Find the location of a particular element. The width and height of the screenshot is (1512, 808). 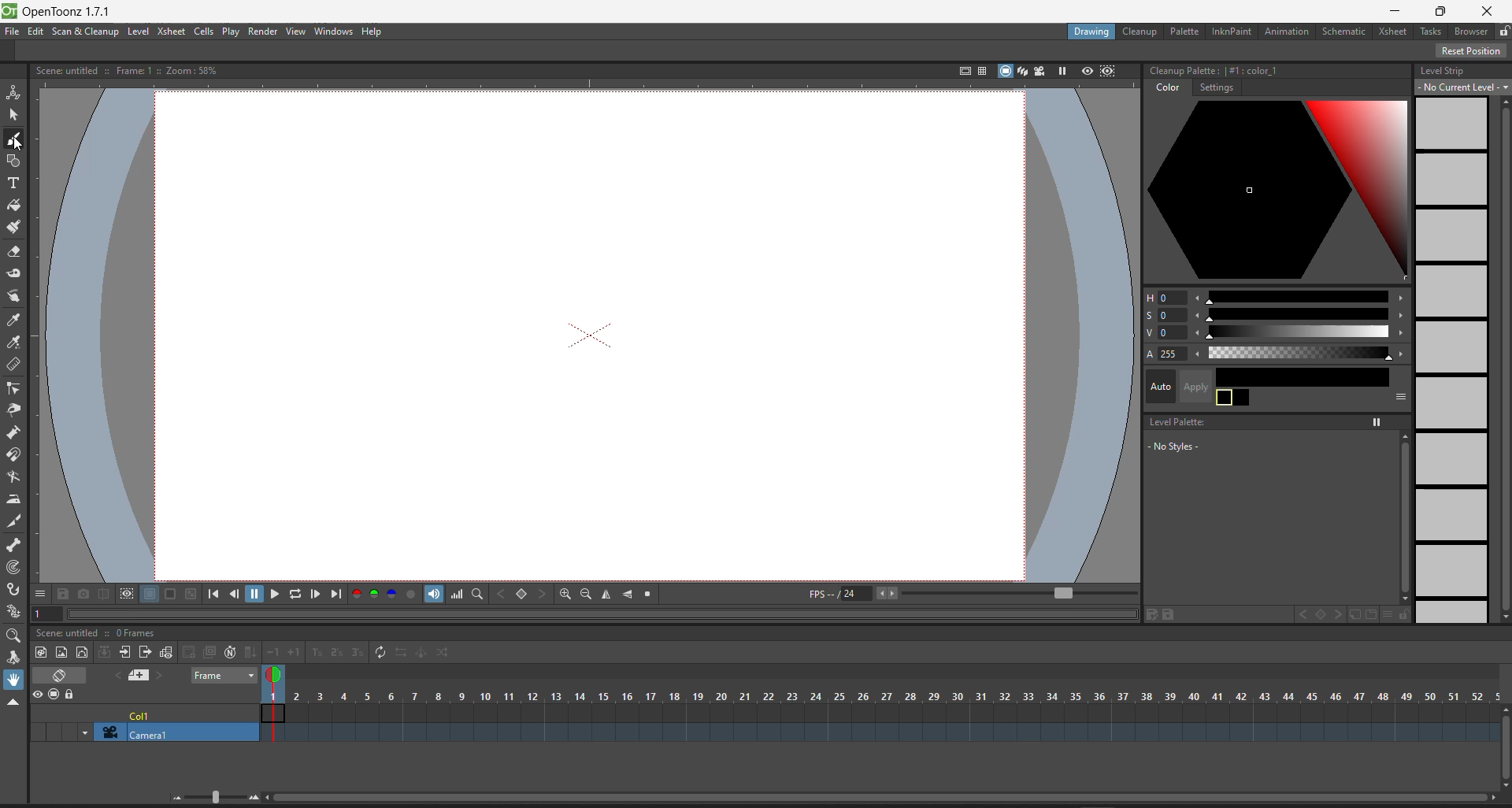

geometric tool is located at coordinates (16, 160).